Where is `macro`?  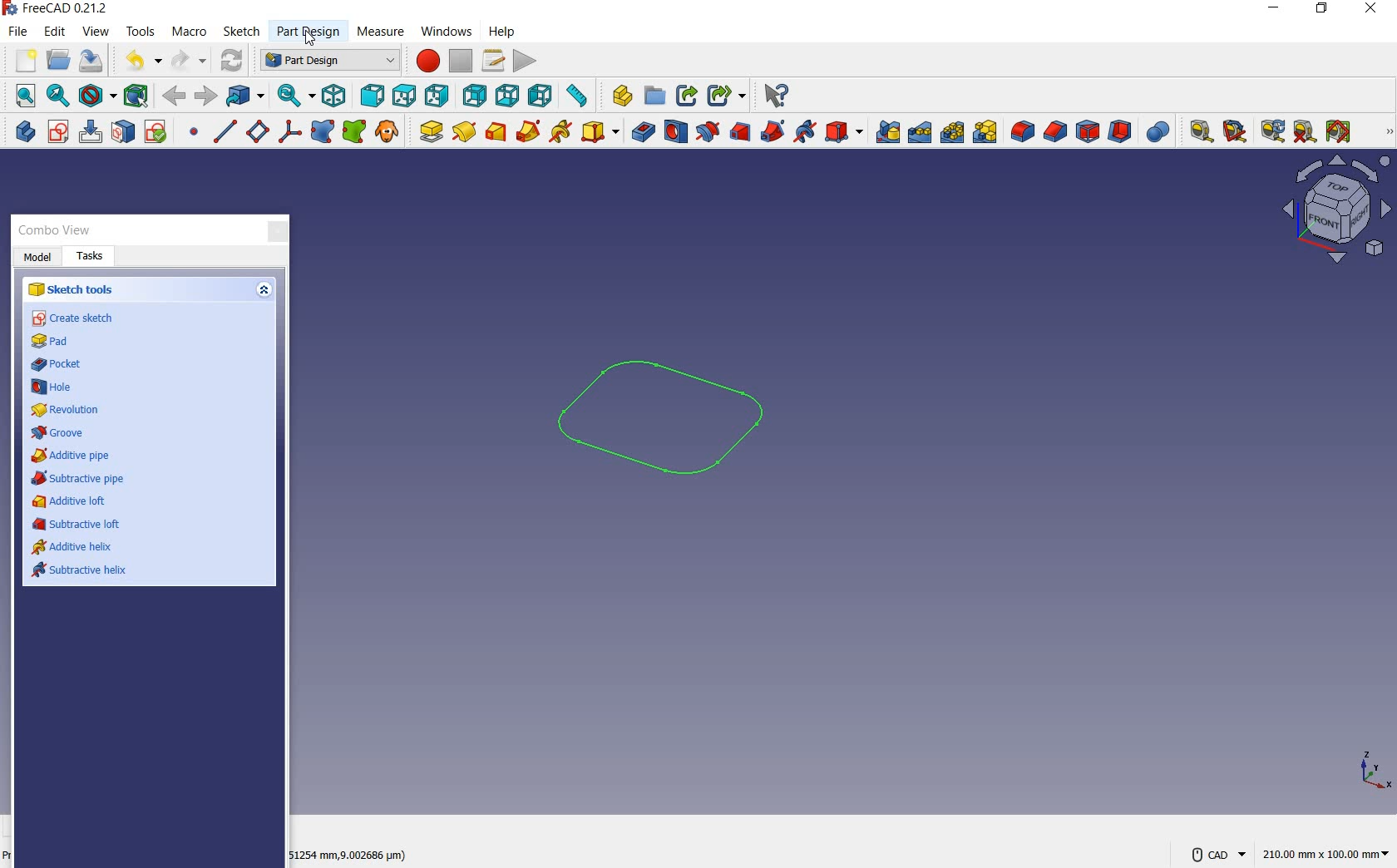
macro is located at coordinates (190, 31).